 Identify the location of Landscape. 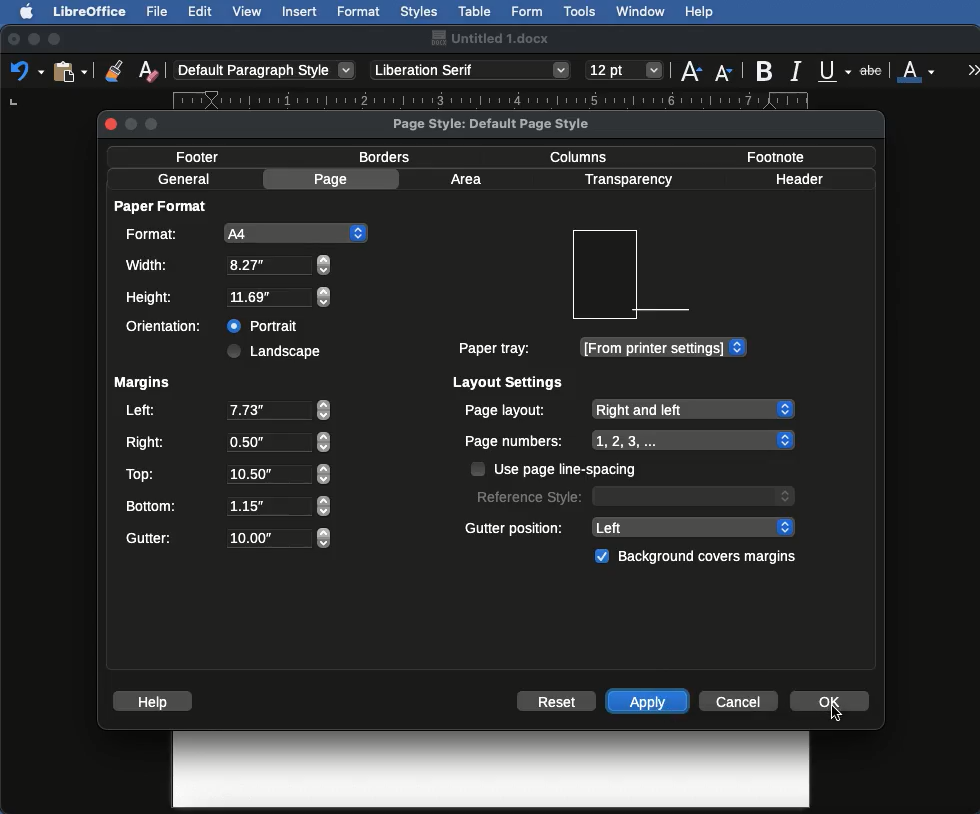
(277, 351).